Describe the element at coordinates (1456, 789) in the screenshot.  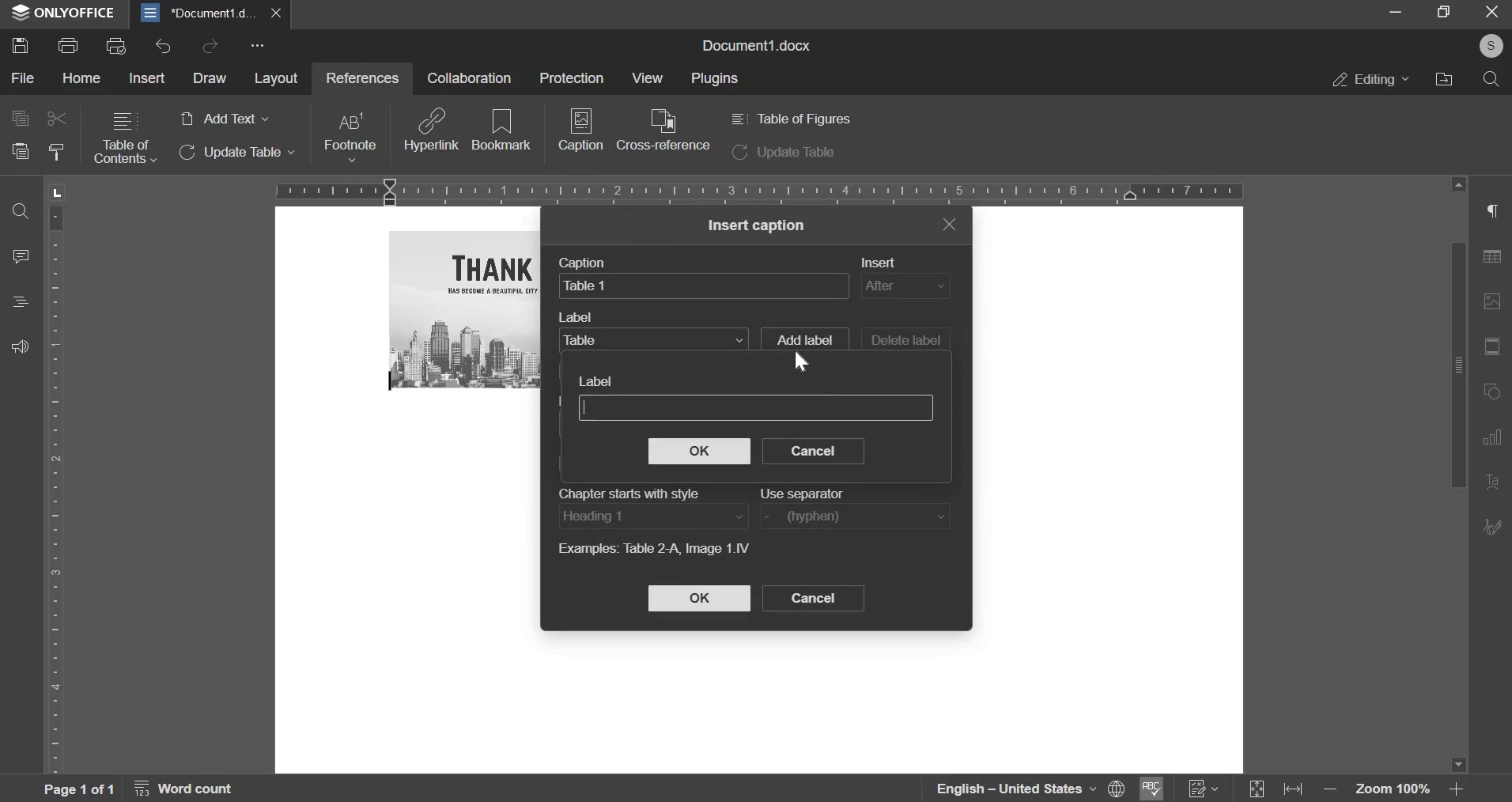
I see `Zoom in` at that location.